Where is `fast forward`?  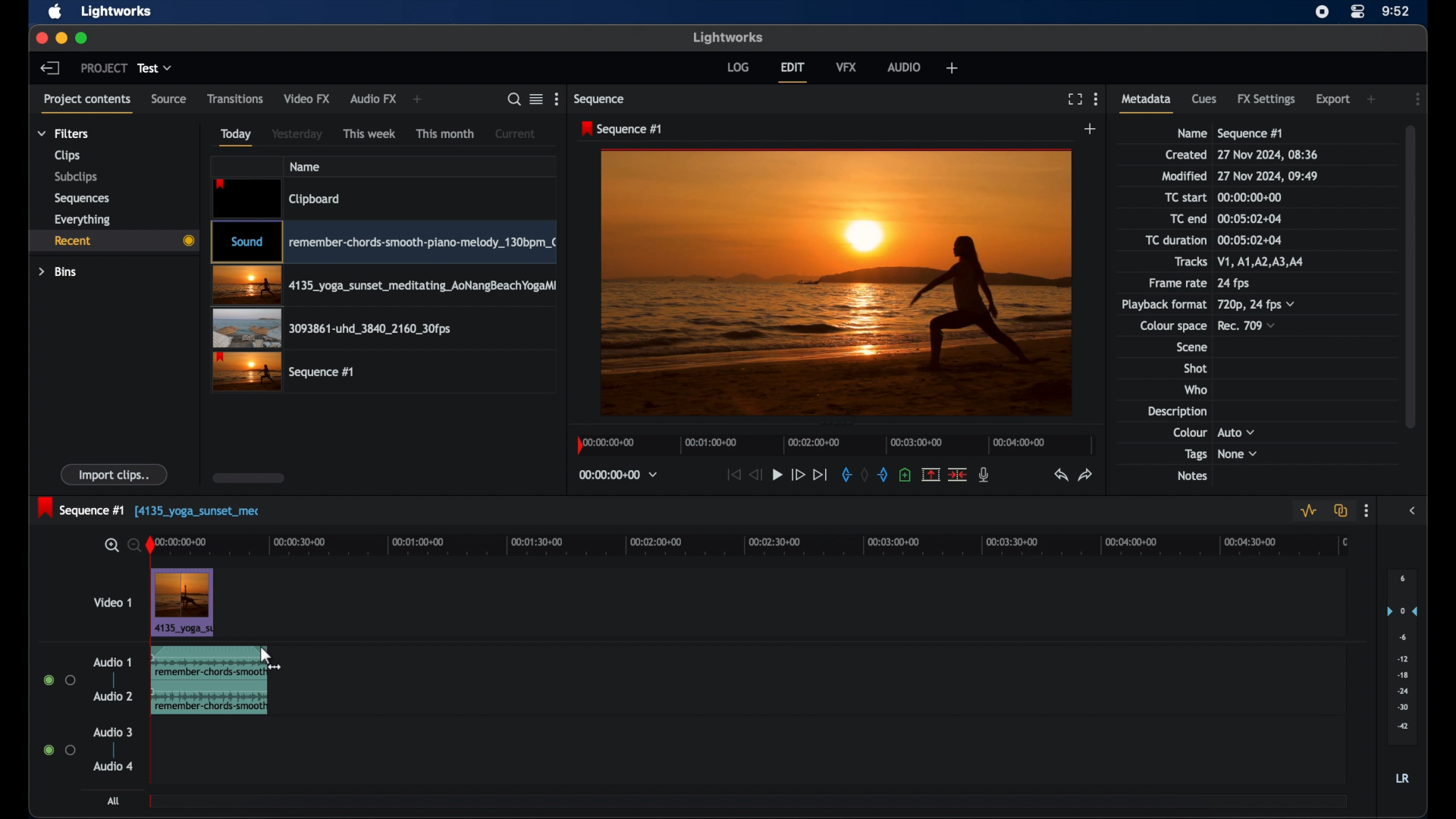 fast forward is located at coordinates (798, 475).